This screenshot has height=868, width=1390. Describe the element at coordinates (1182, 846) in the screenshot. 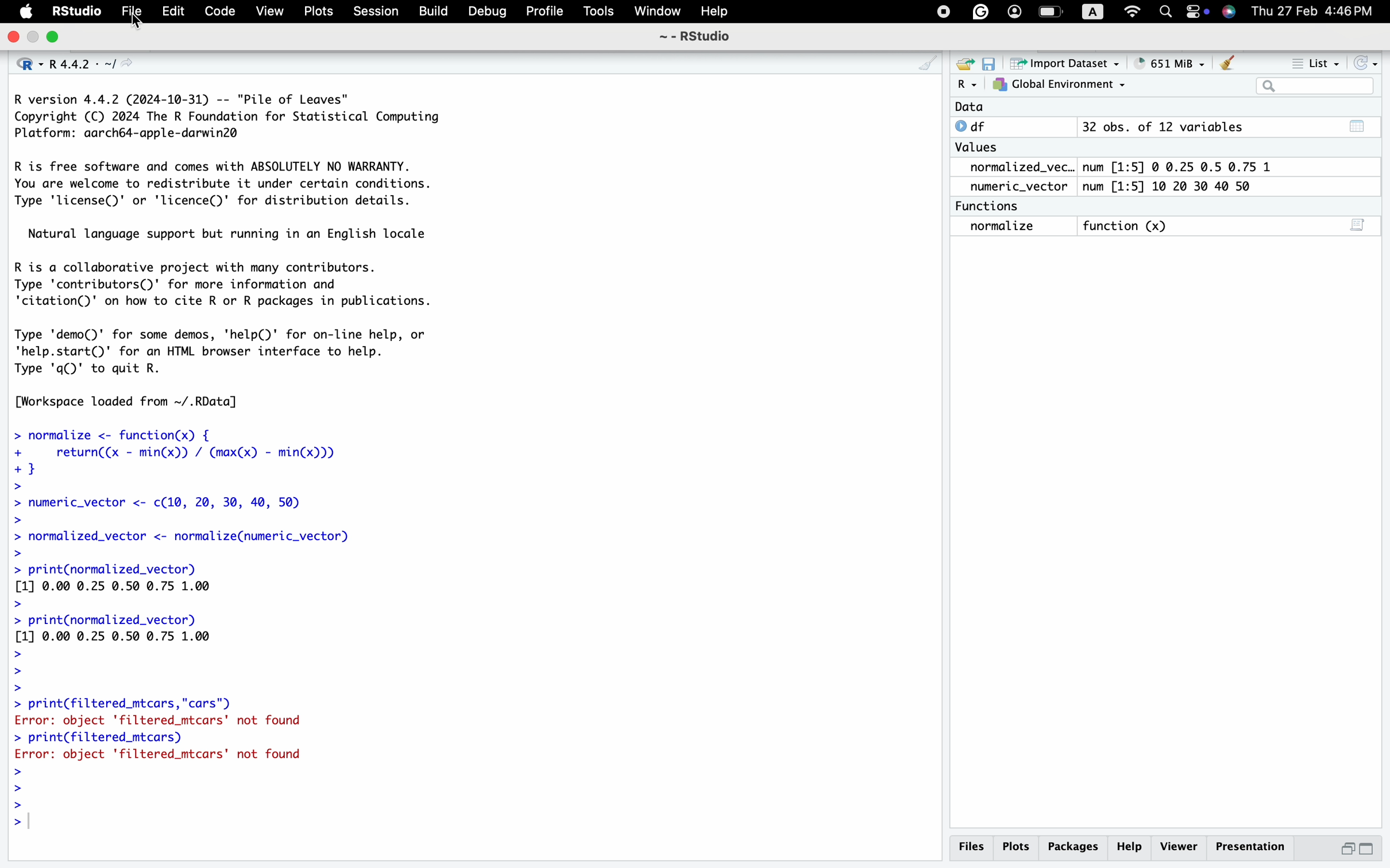

I see `p Viewer` at that location.